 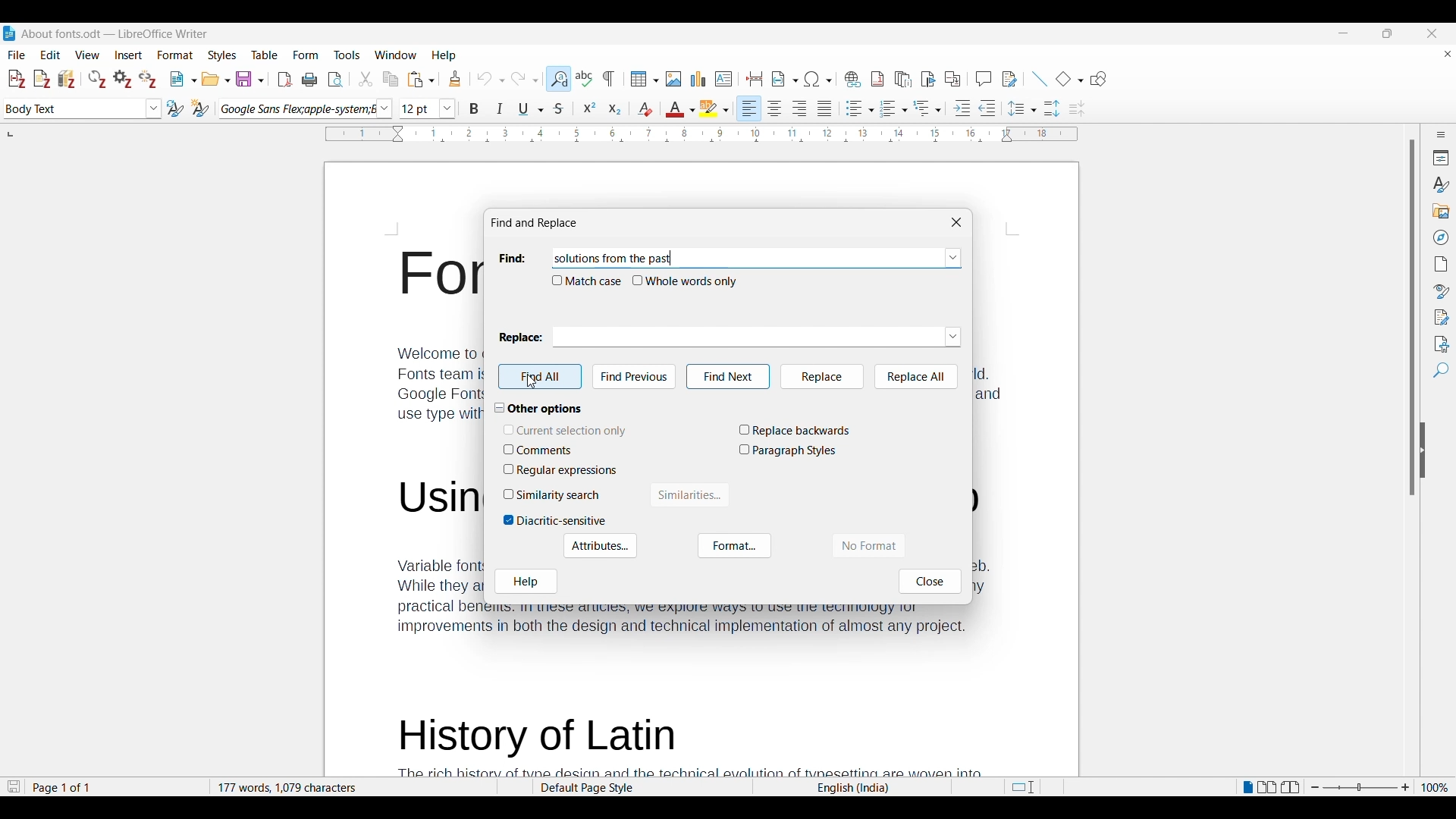 What do you see at coordinates (176, 108) in the screenshot?
I see `Update selected style` at bounding box center [176, 108].